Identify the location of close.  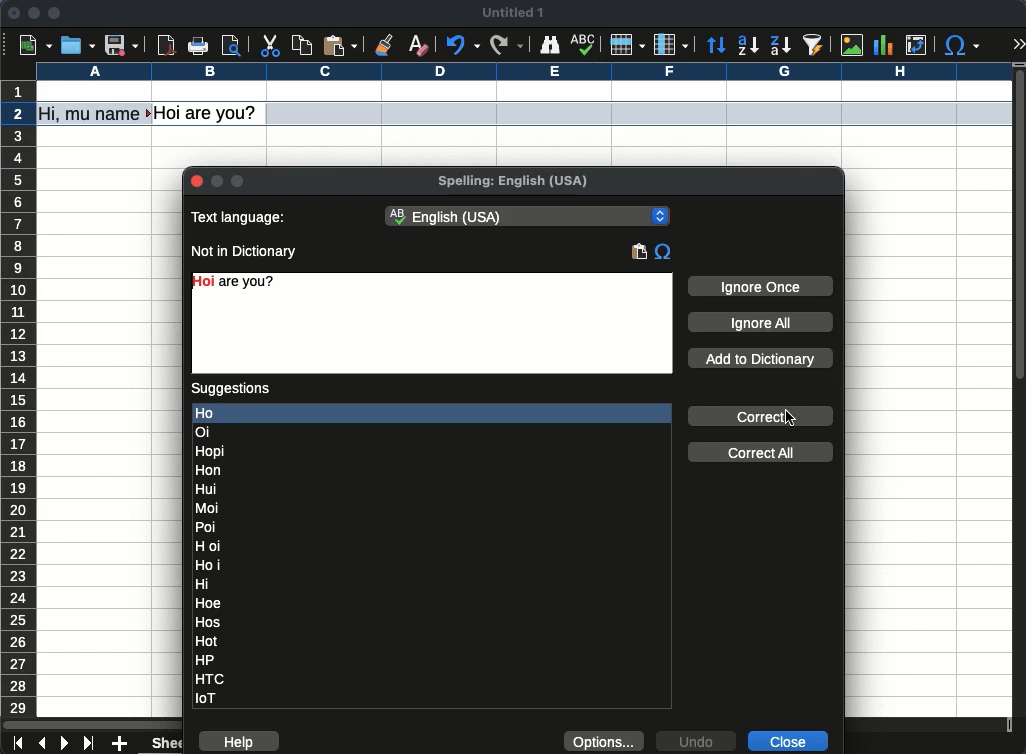
(198, 183).